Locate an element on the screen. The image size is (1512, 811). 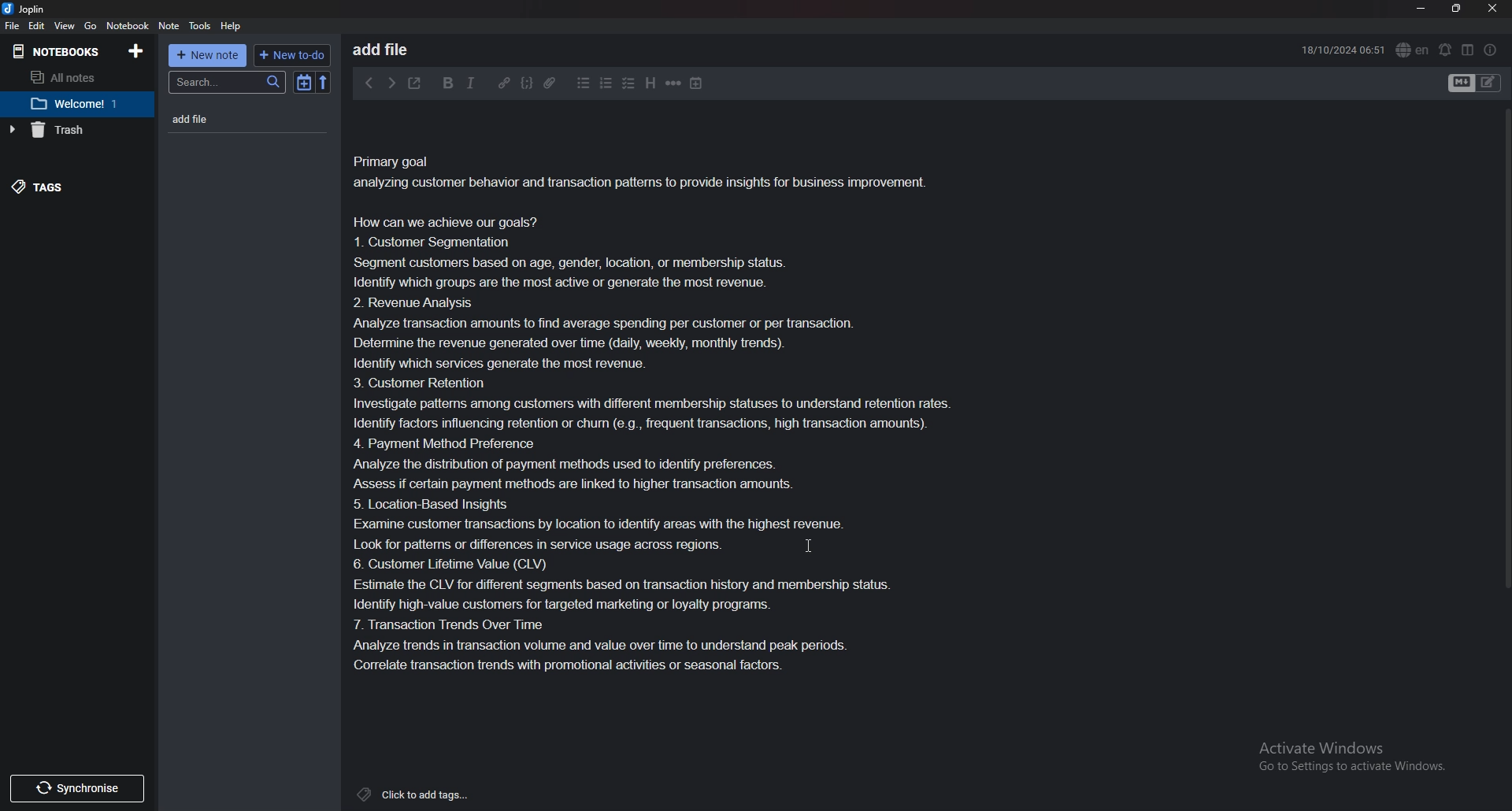
Bold is located at coordinates (449, 83).